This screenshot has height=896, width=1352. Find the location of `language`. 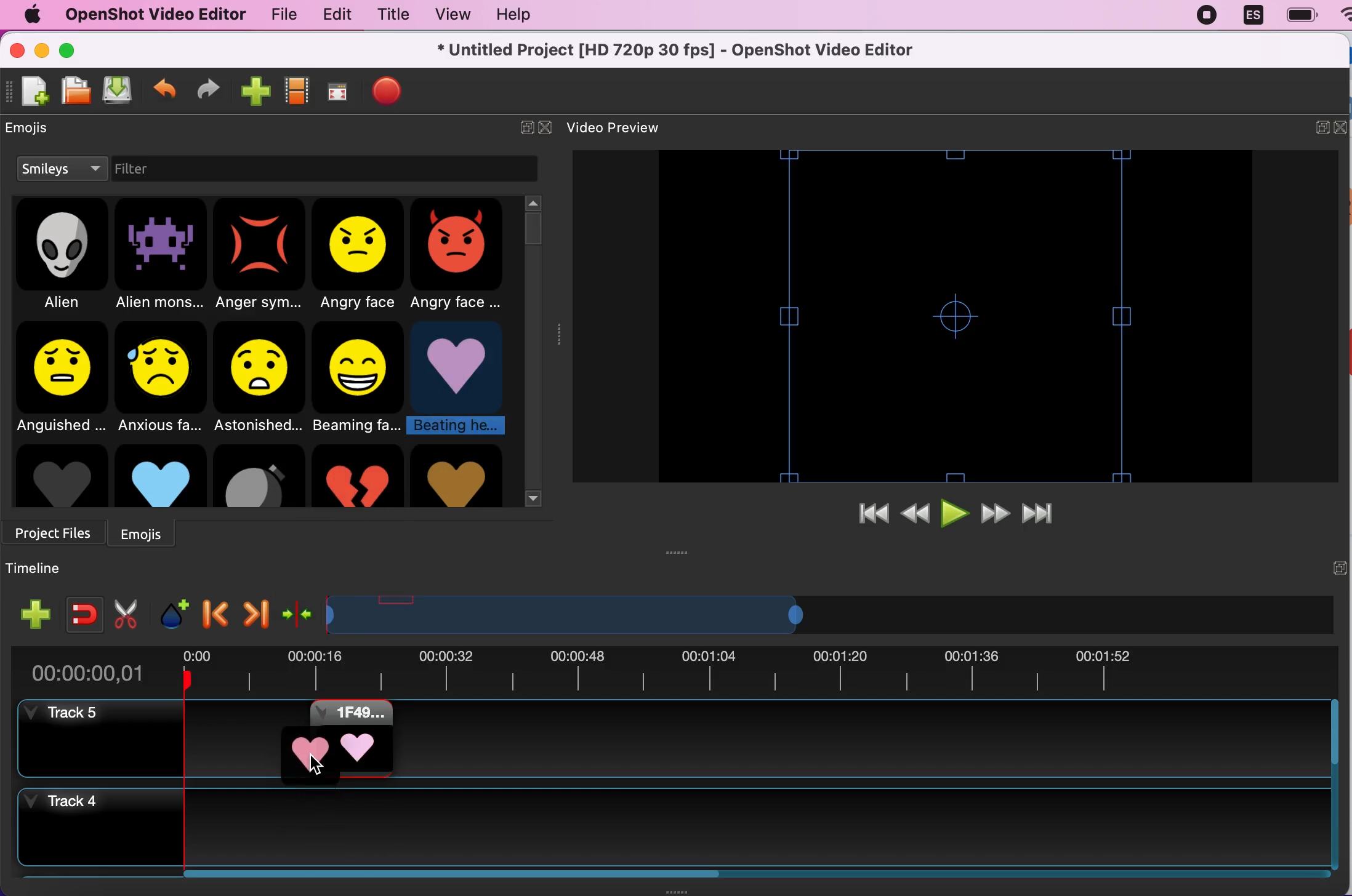

language is located at coordinates (1248, 15).